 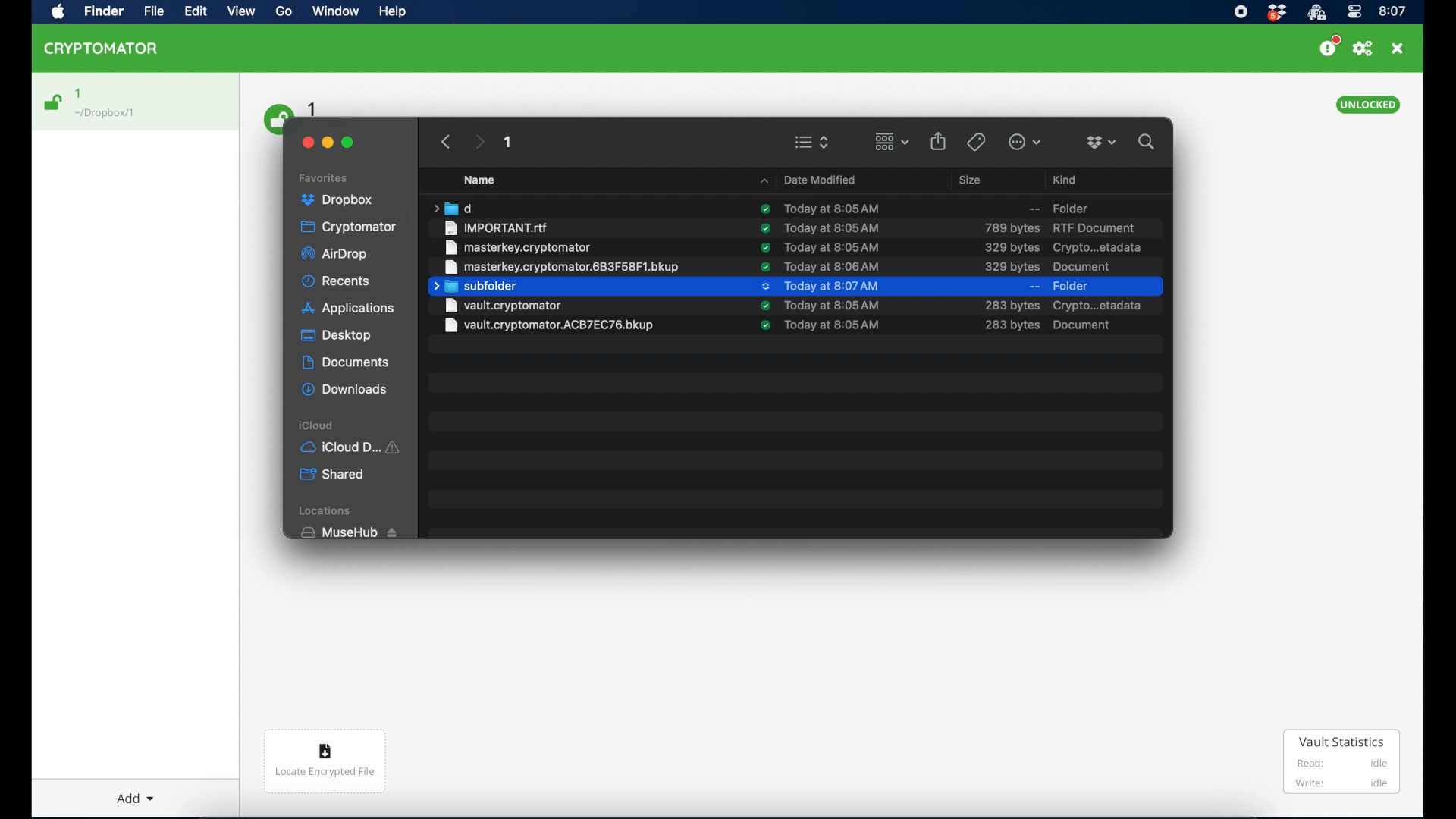 What do you see at coordinates (833, 227) in the screenshot?
I see `te` at bounding box center [833, 227].